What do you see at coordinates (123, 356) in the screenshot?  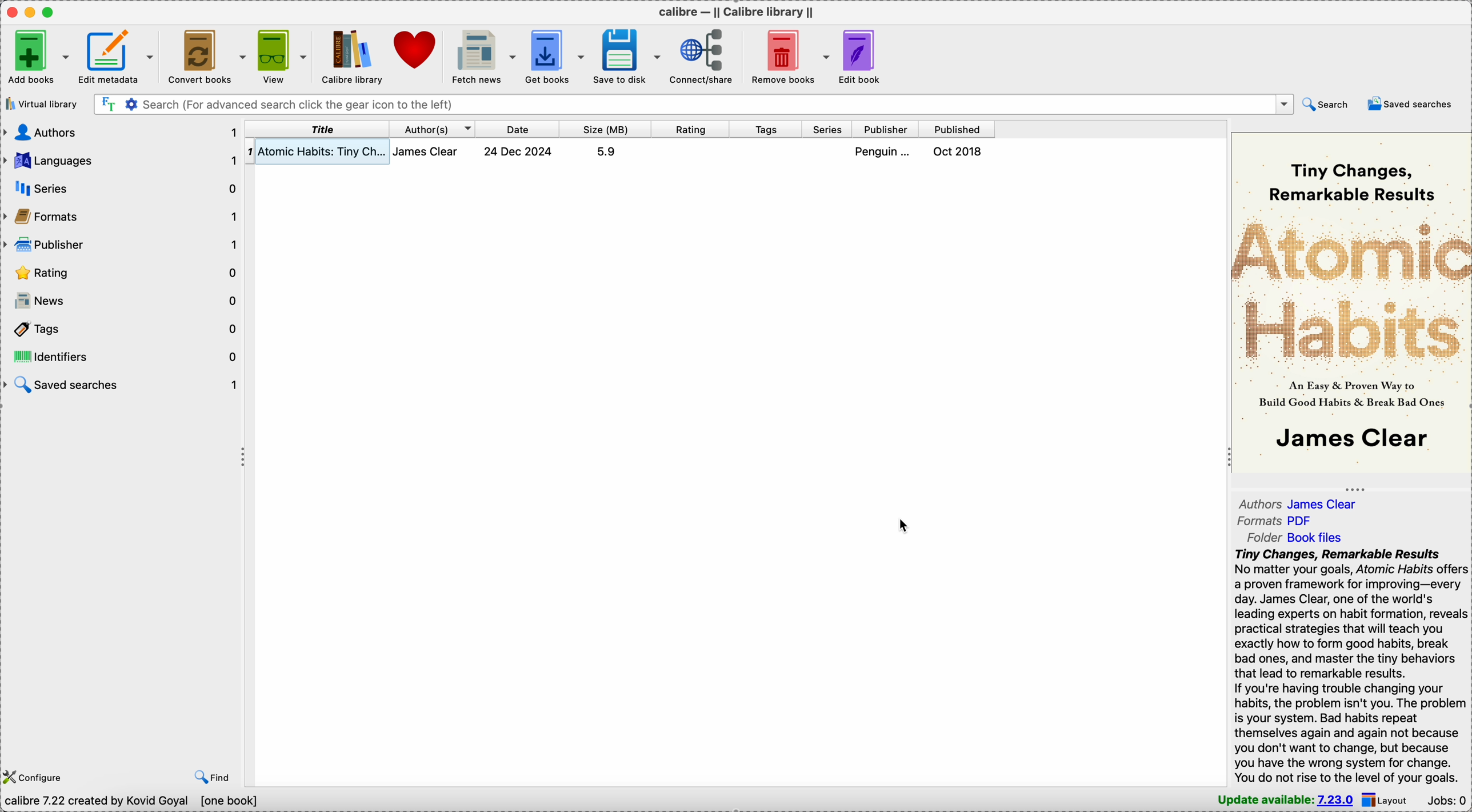 I see `identifiers` at bounding box center [123, 356].